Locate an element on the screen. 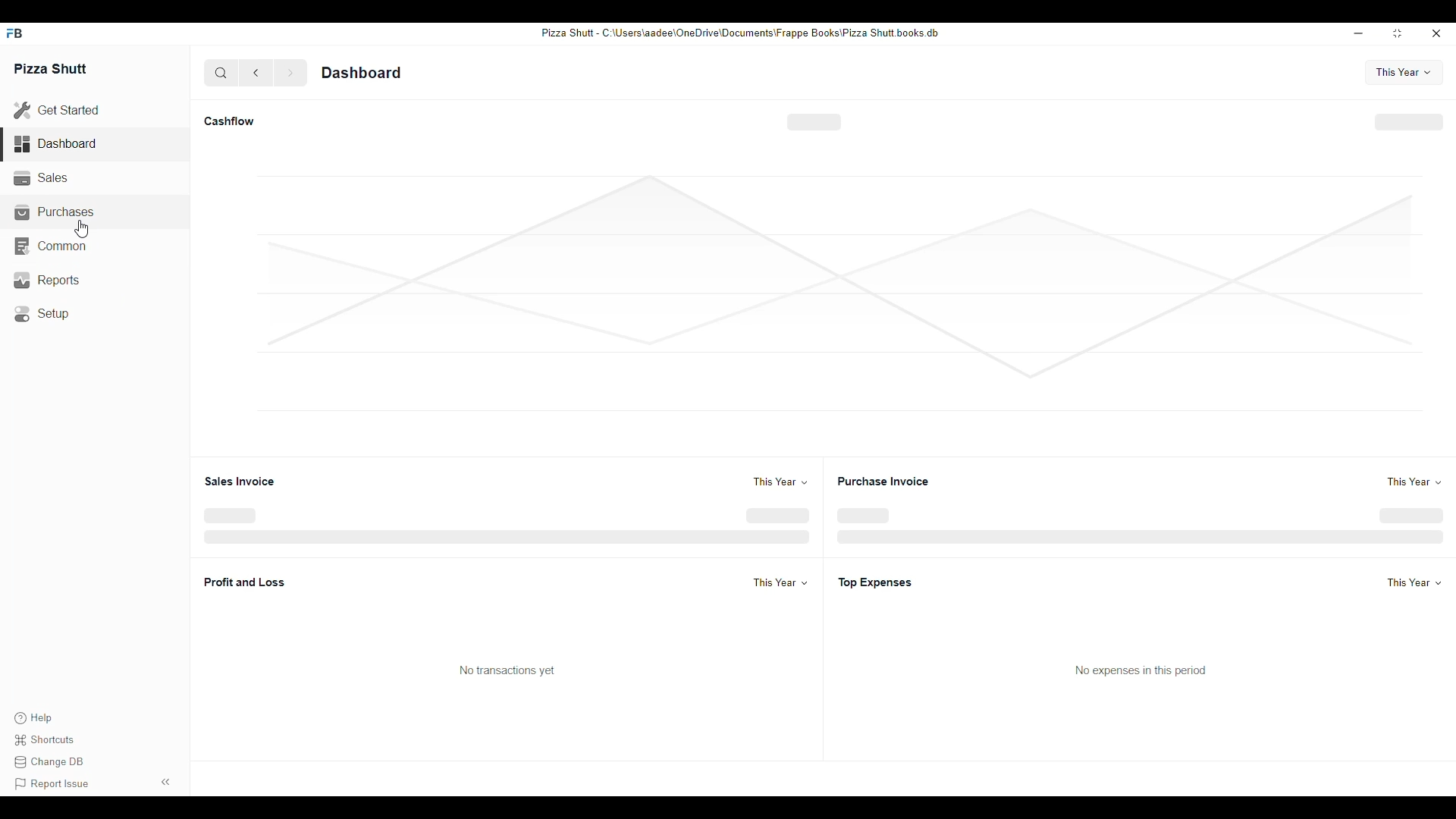  This year is located at coordinates (1405, 71).